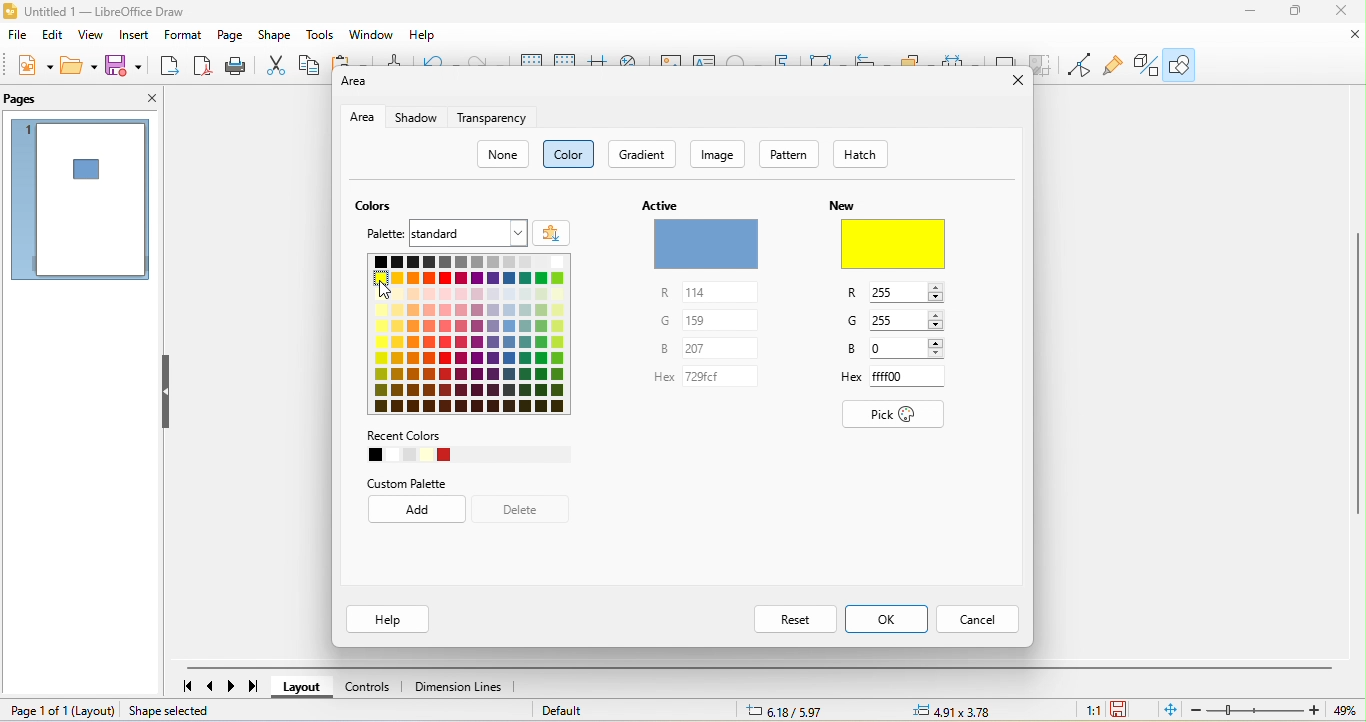  What do you see at coordinates (572, 711) in the screenshot?
I see `default` at bounding box center [572, 711].